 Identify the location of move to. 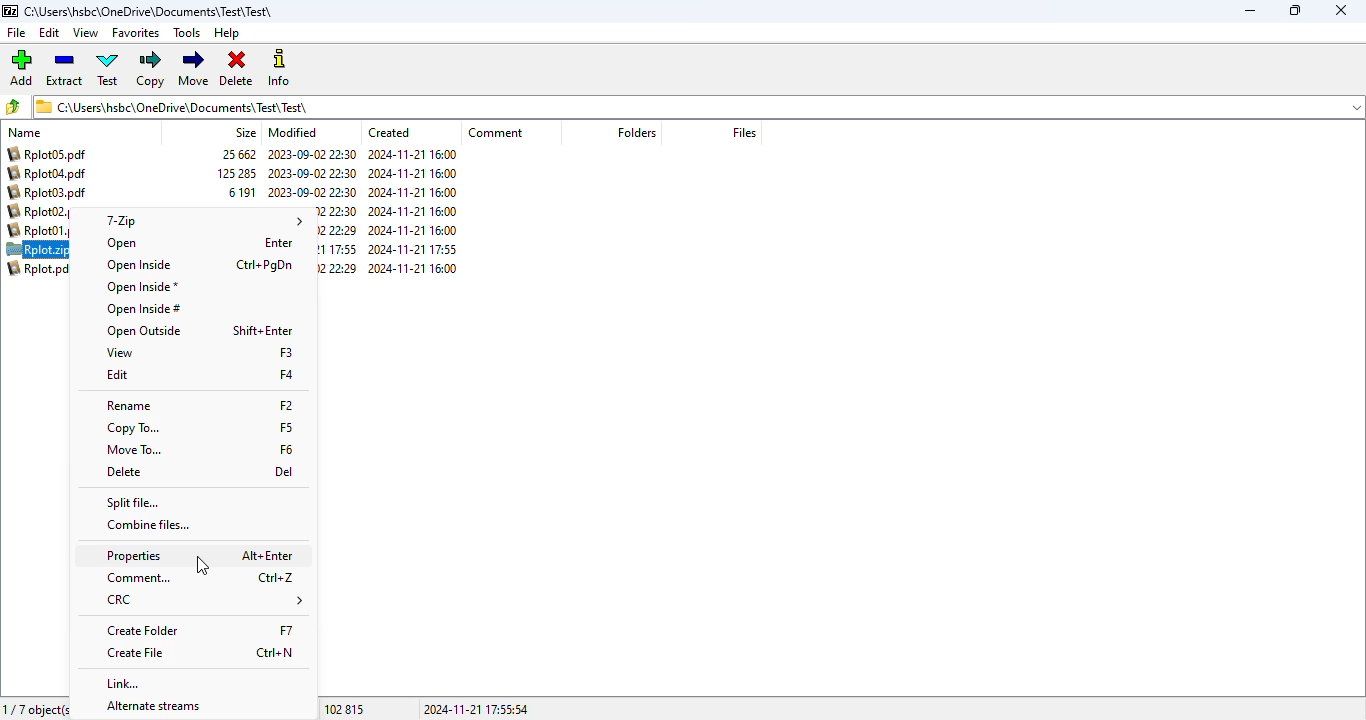
(133, 449).